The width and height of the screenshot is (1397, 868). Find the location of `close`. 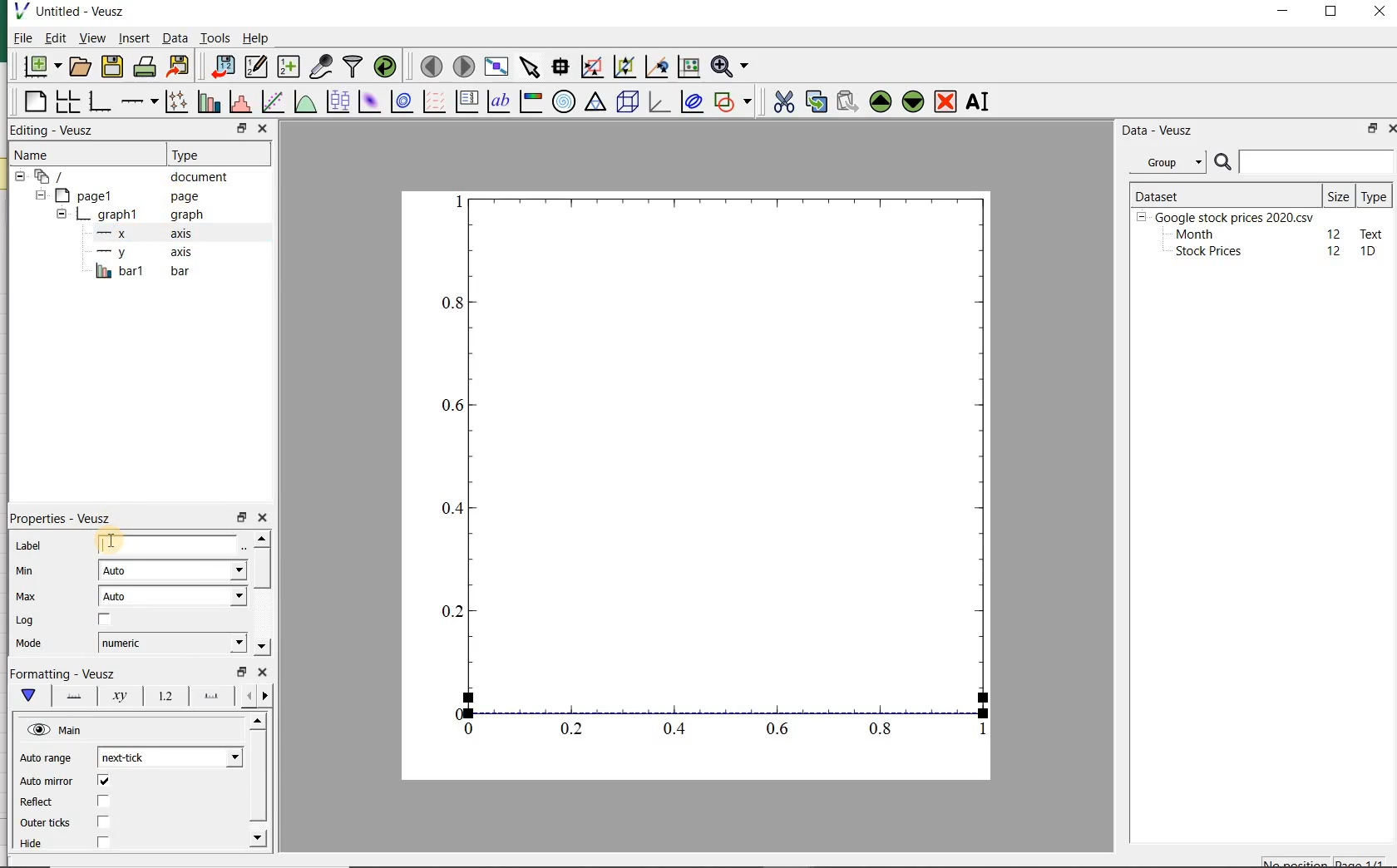

close is located at coordinates (264, 518).